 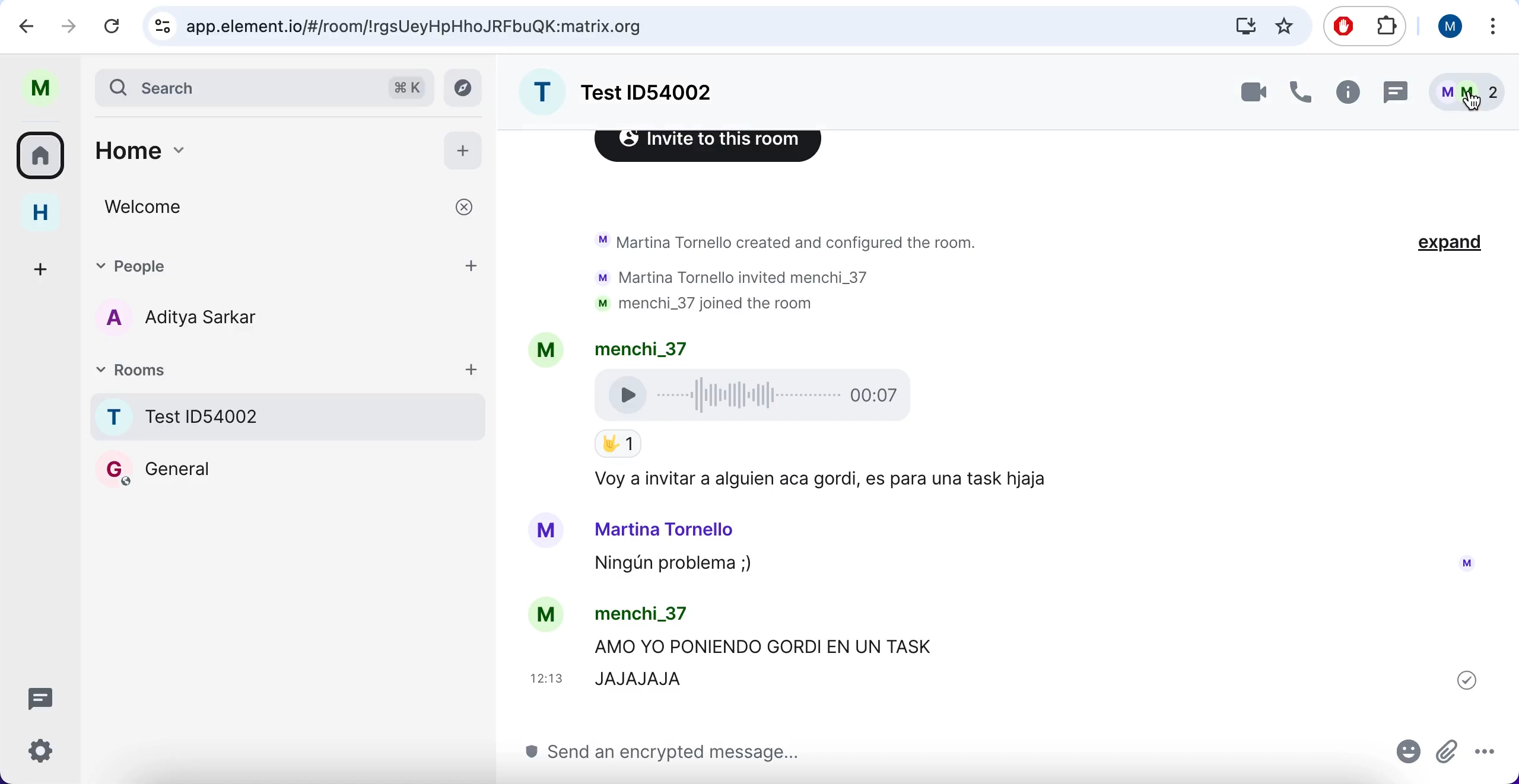 What do you see at coordinates (474, 366) in the screenshot?
I see `add` at bounding box center [474, 366].